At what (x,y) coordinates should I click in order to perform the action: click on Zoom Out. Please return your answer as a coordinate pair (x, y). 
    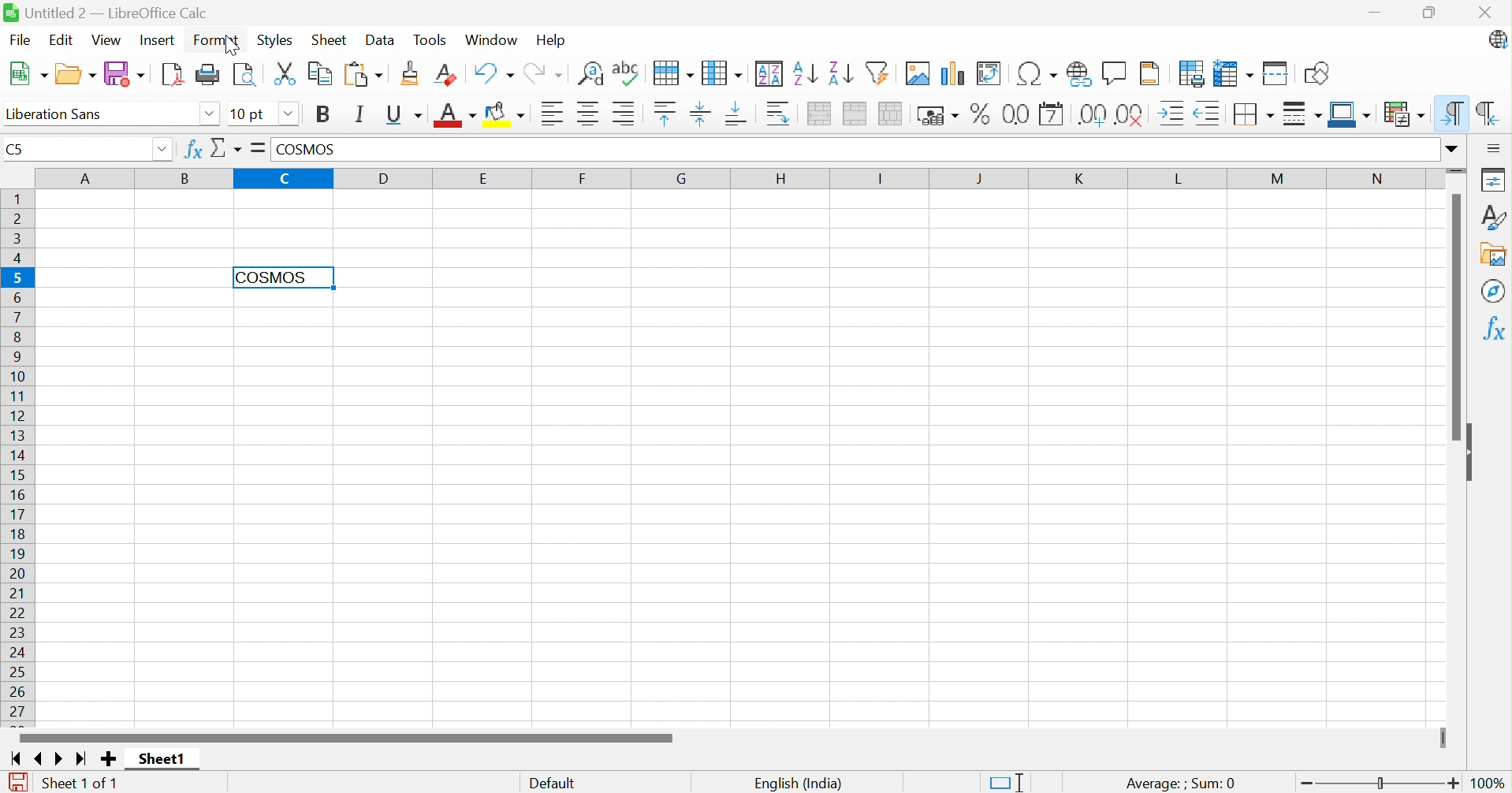
    Looking at the image, I should click on (1303, 785).